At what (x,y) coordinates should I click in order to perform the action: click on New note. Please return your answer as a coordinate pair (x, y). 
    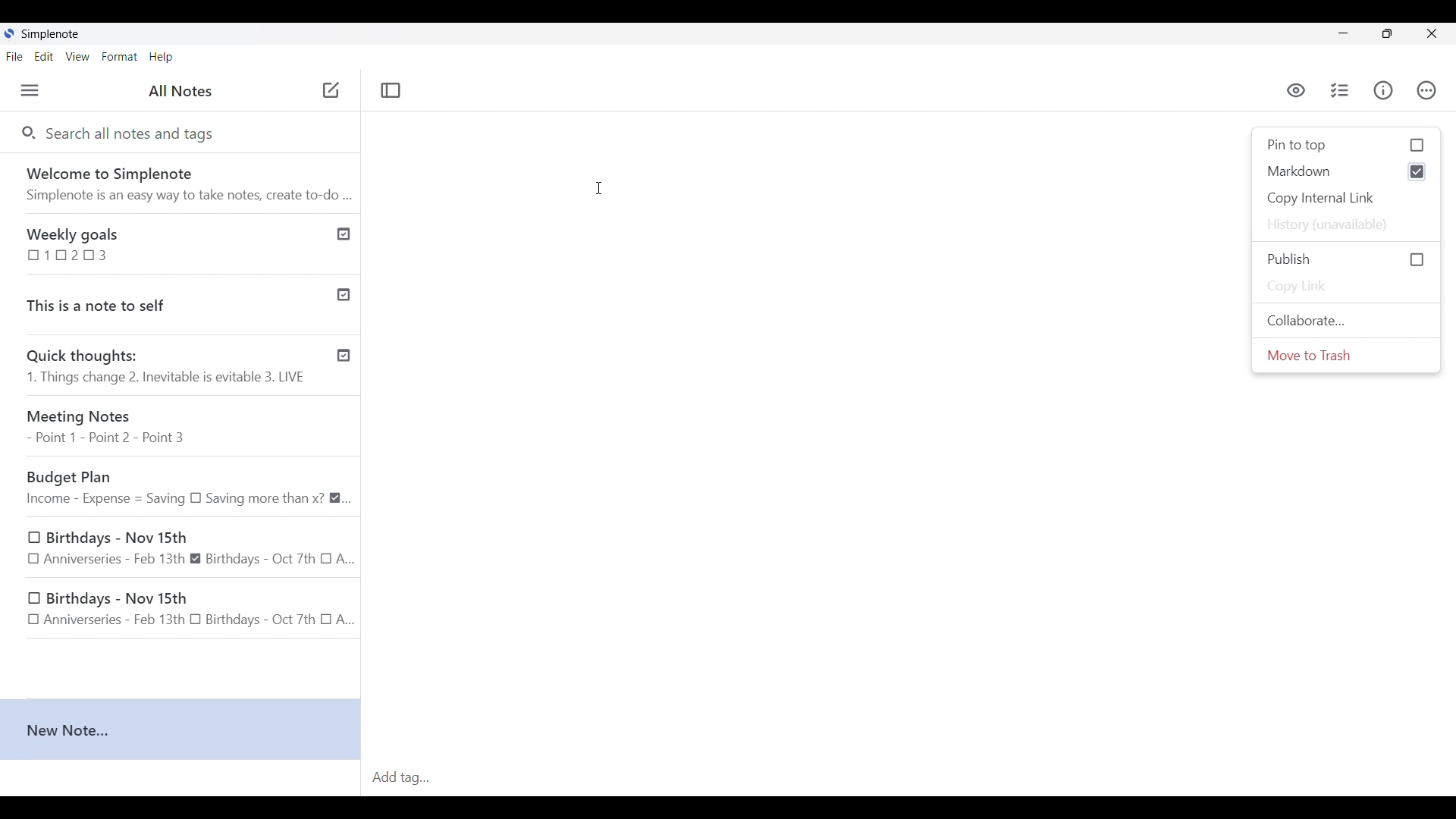
    Looking at the image, I should click on (180, 730).